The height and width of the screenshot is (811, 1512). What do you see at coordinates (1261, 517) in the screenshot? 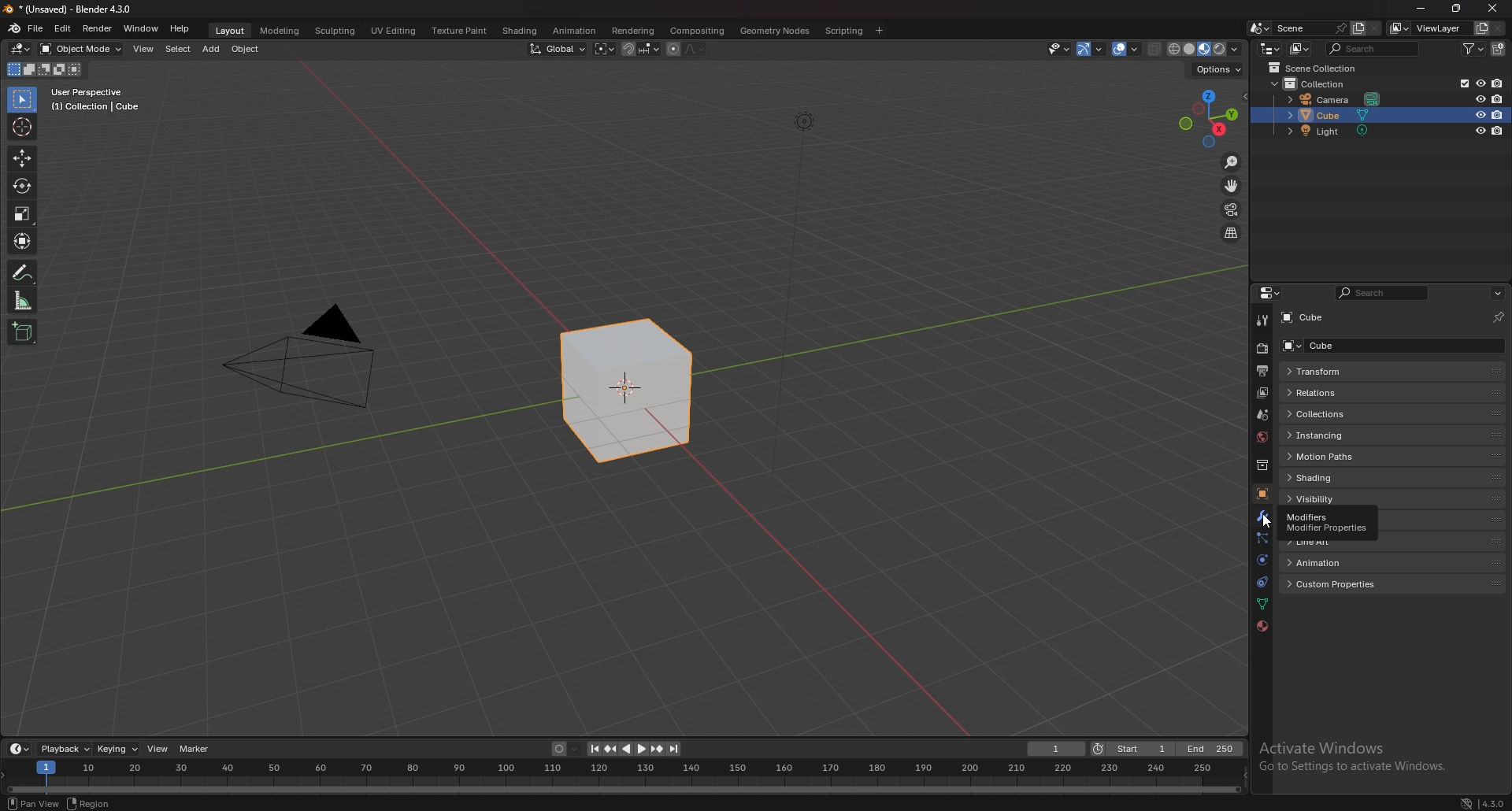
I see `modifier` at bounding box center [1261, 517].